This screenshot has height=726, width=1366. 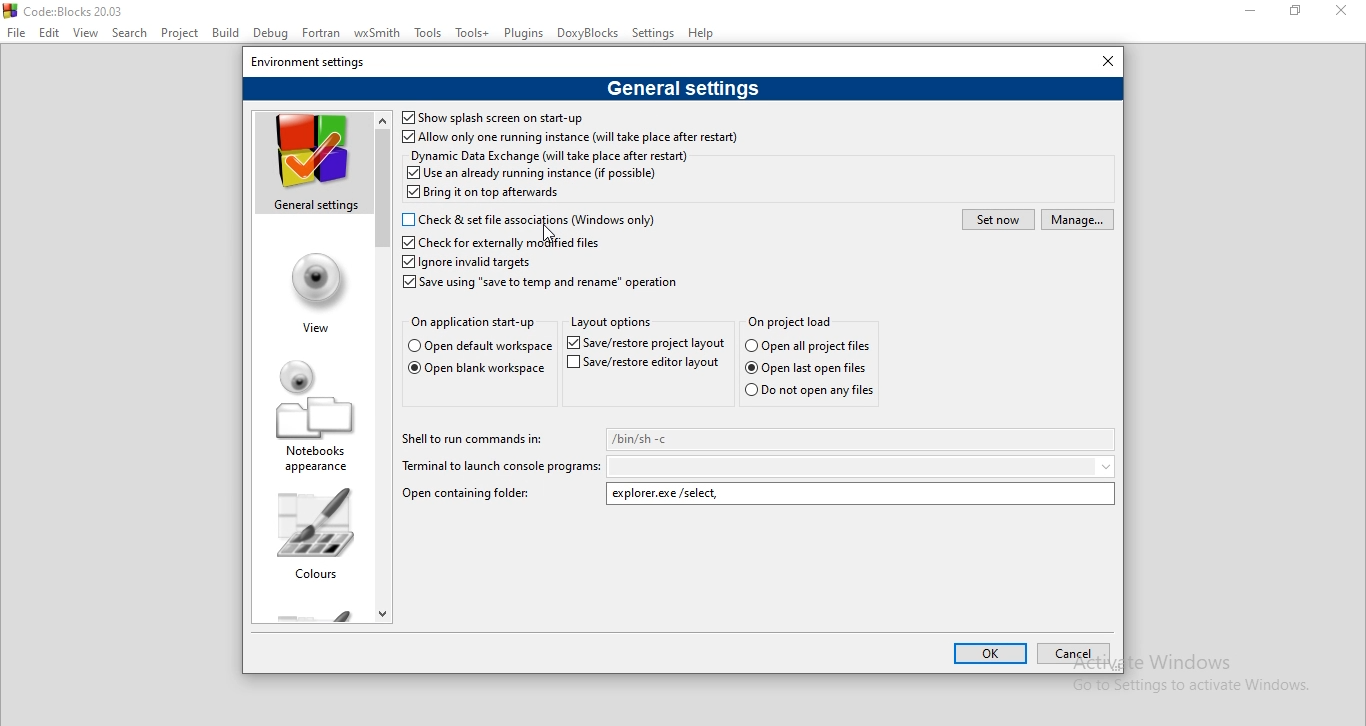 I want to click on Tools+, so click(x=472, y=34).